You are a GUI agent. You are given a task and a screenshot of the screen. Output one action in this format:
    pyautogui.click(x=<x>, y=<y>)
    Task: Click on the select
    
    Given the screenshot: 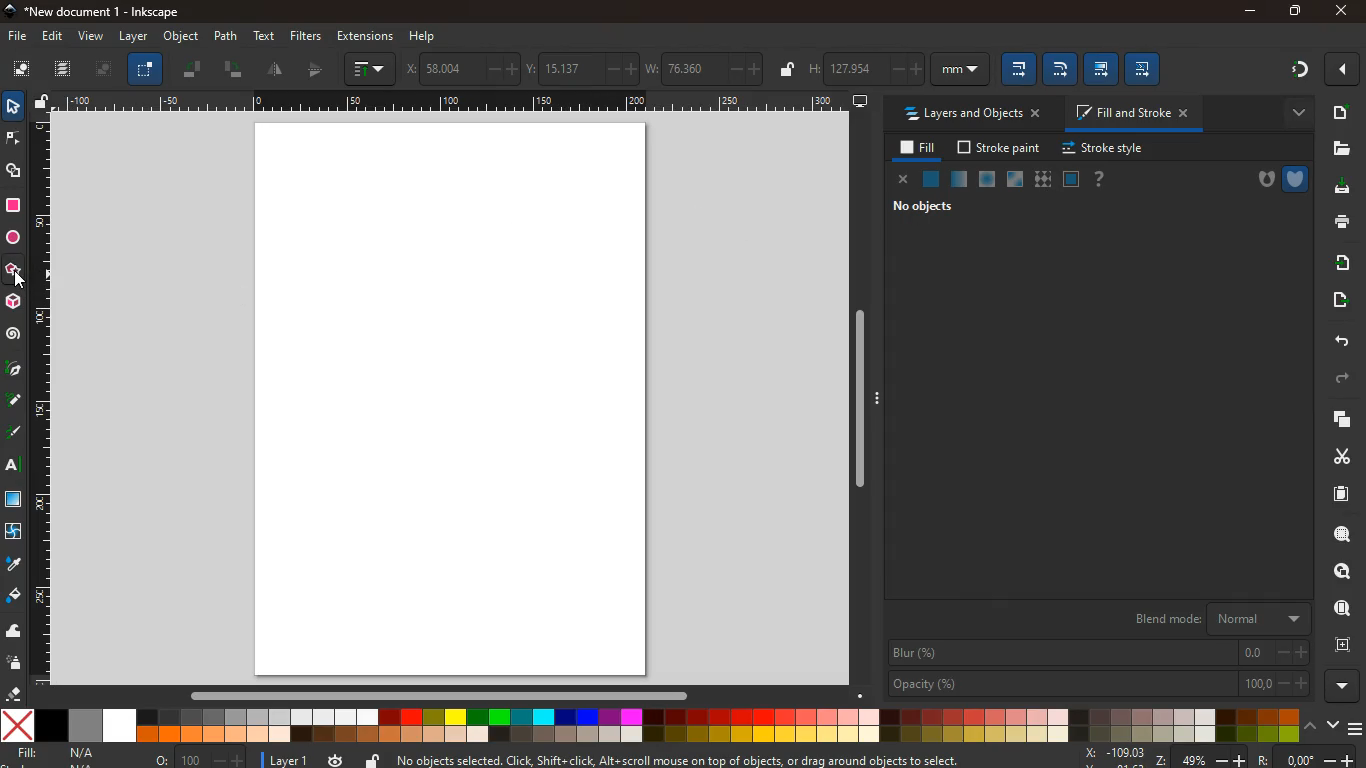 What is the action you would take?
    pyautogui.click(x=15, y=109)
    